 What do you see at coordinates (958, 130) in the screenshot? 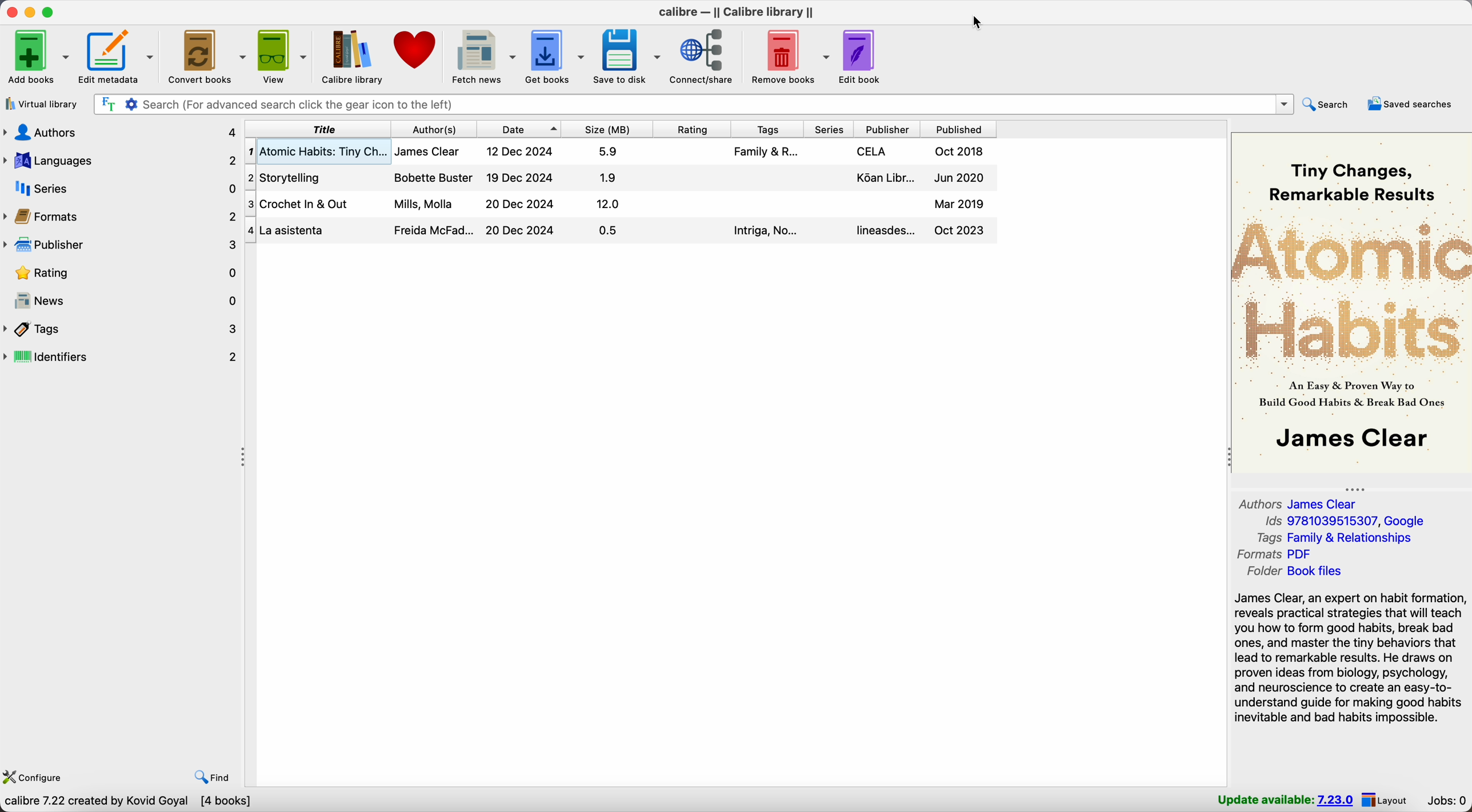
I see `published` at bounding box center [958, 130].